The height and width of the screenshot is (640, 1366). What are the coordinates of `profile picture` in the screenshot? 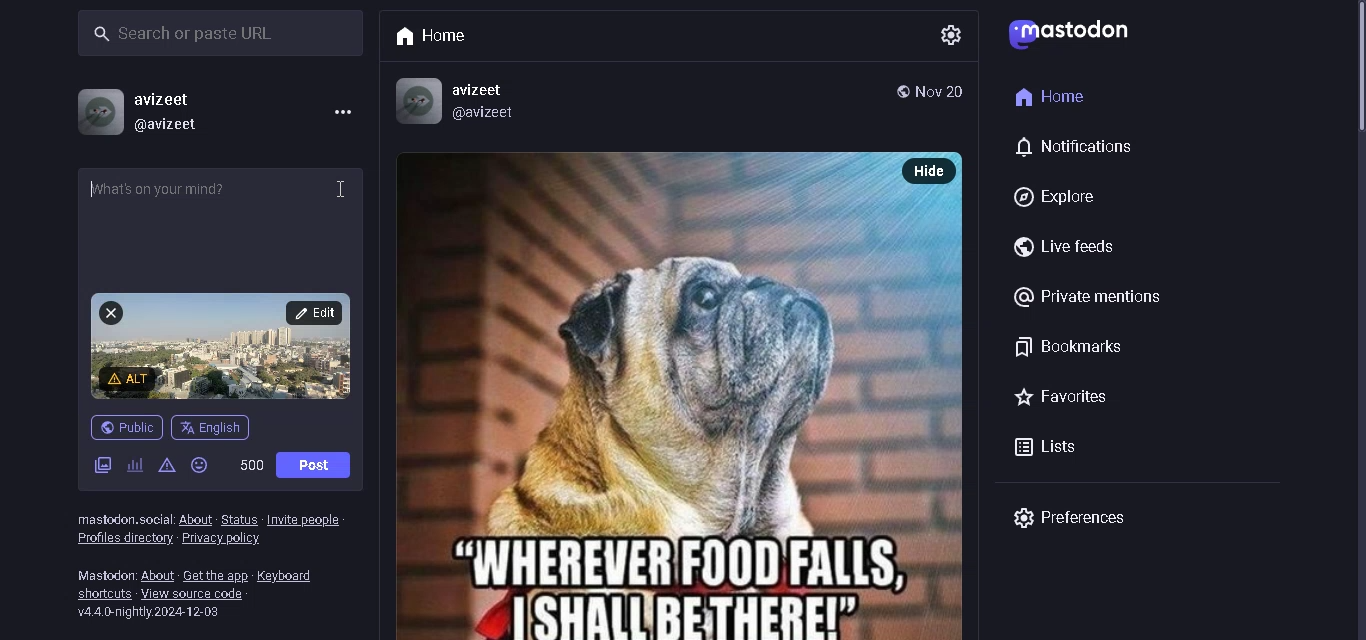 It's located at (99, 110).